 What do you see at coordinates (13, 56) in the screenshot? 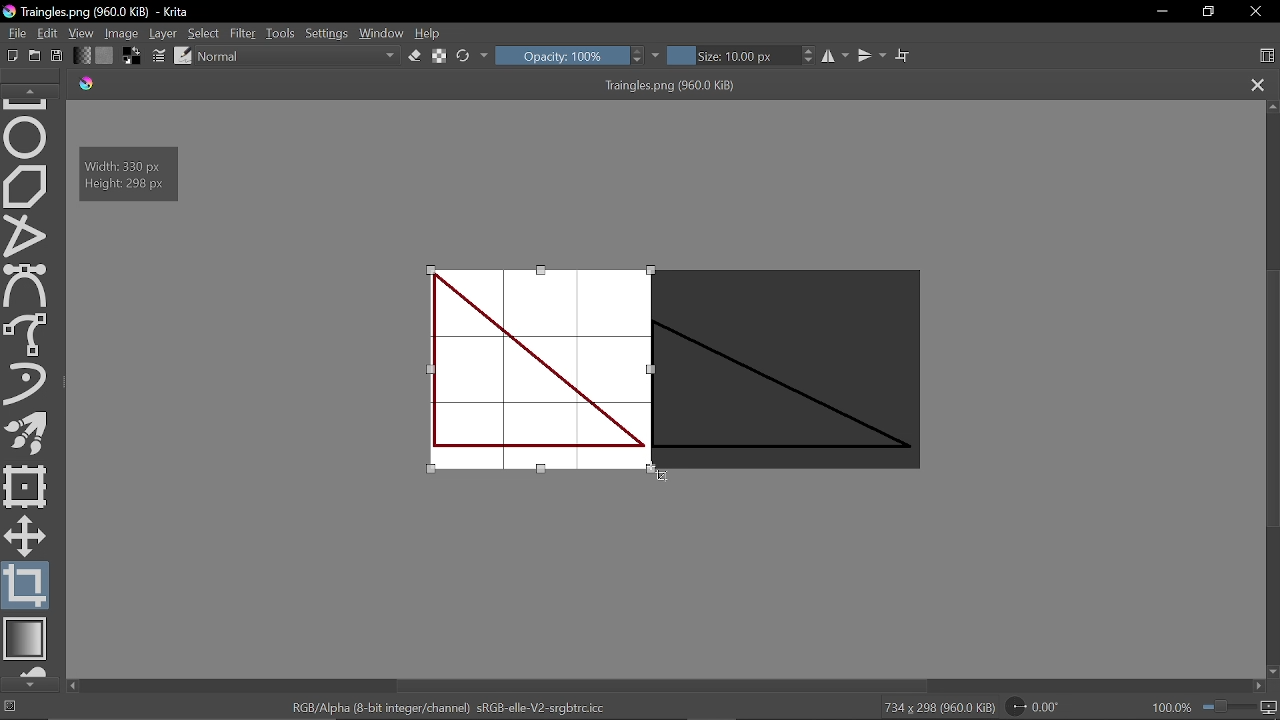
I see `Create new document` at bounding box center [13, 56].